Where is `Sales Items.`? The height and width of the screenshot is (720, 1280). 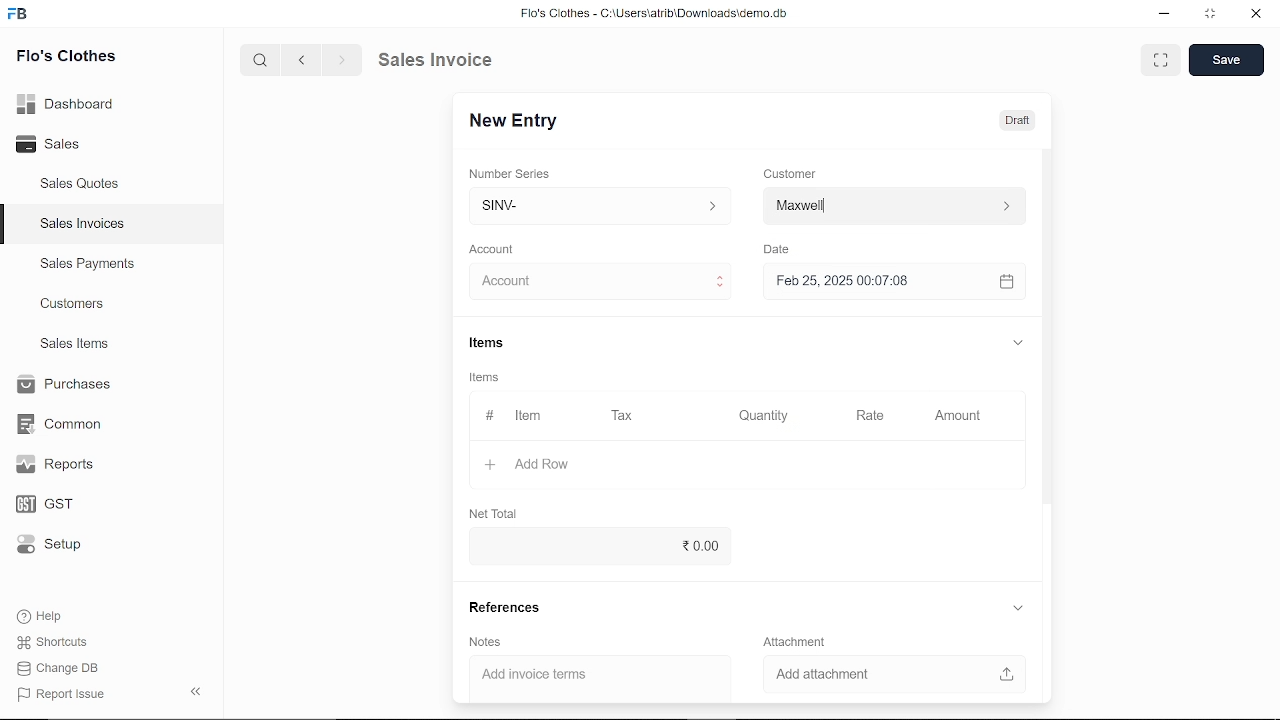 Sales Items. is located at coordinates (76, 345).